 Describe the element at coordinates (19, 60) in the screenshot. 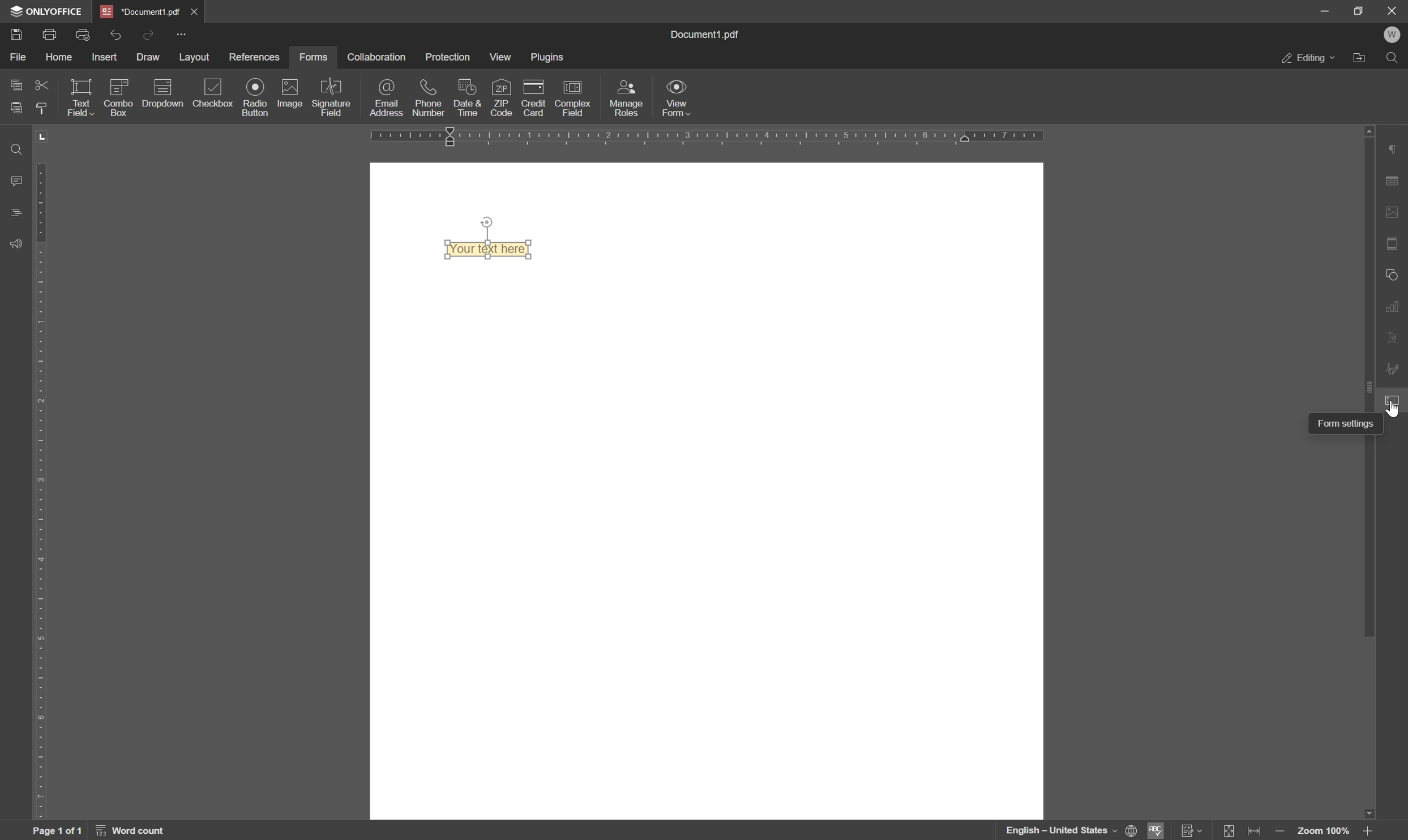

I see `file` at that location.